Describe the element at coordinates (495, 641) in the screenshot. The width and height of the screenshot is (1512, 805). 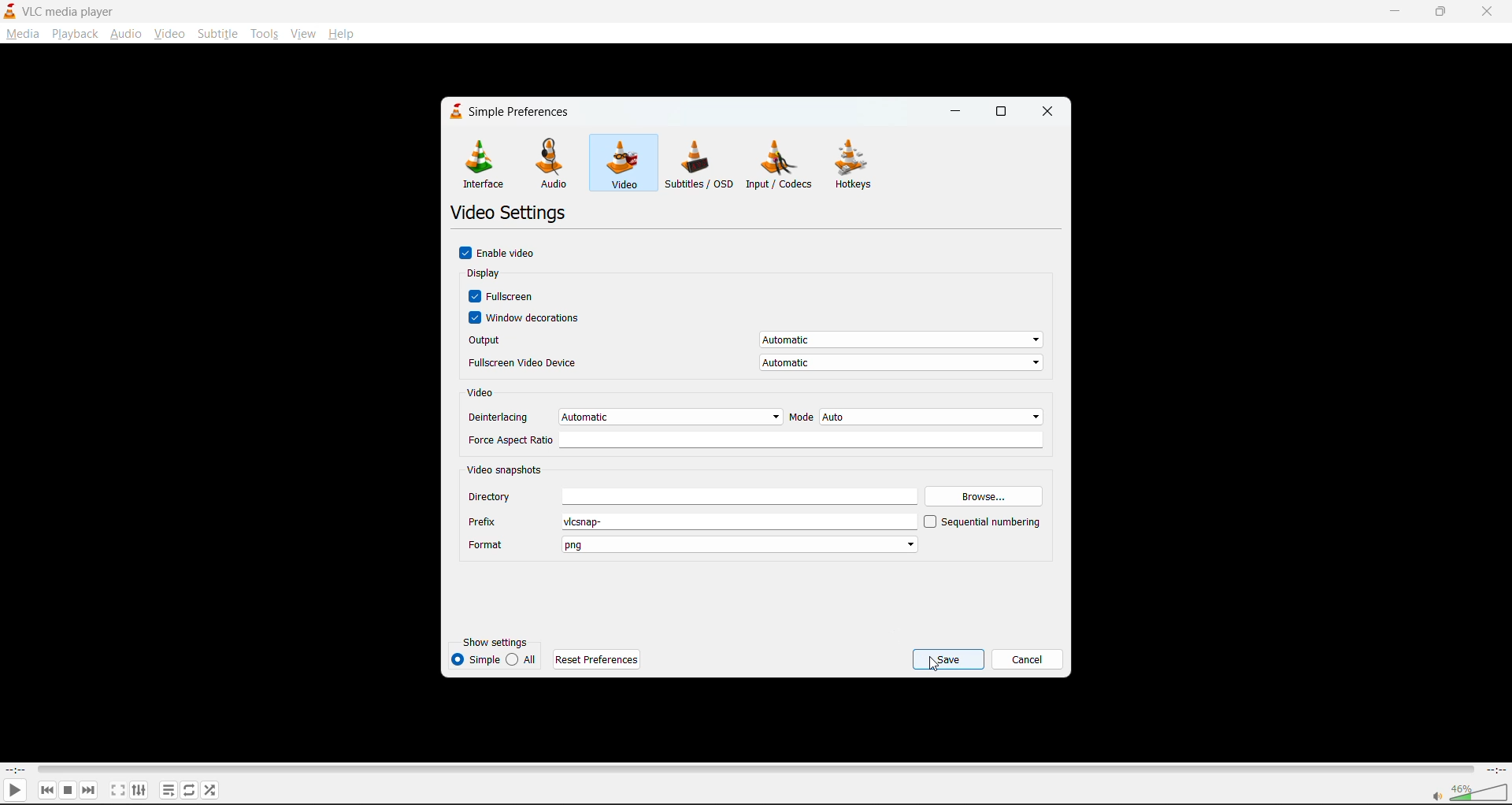
I see `show settings` at that location.